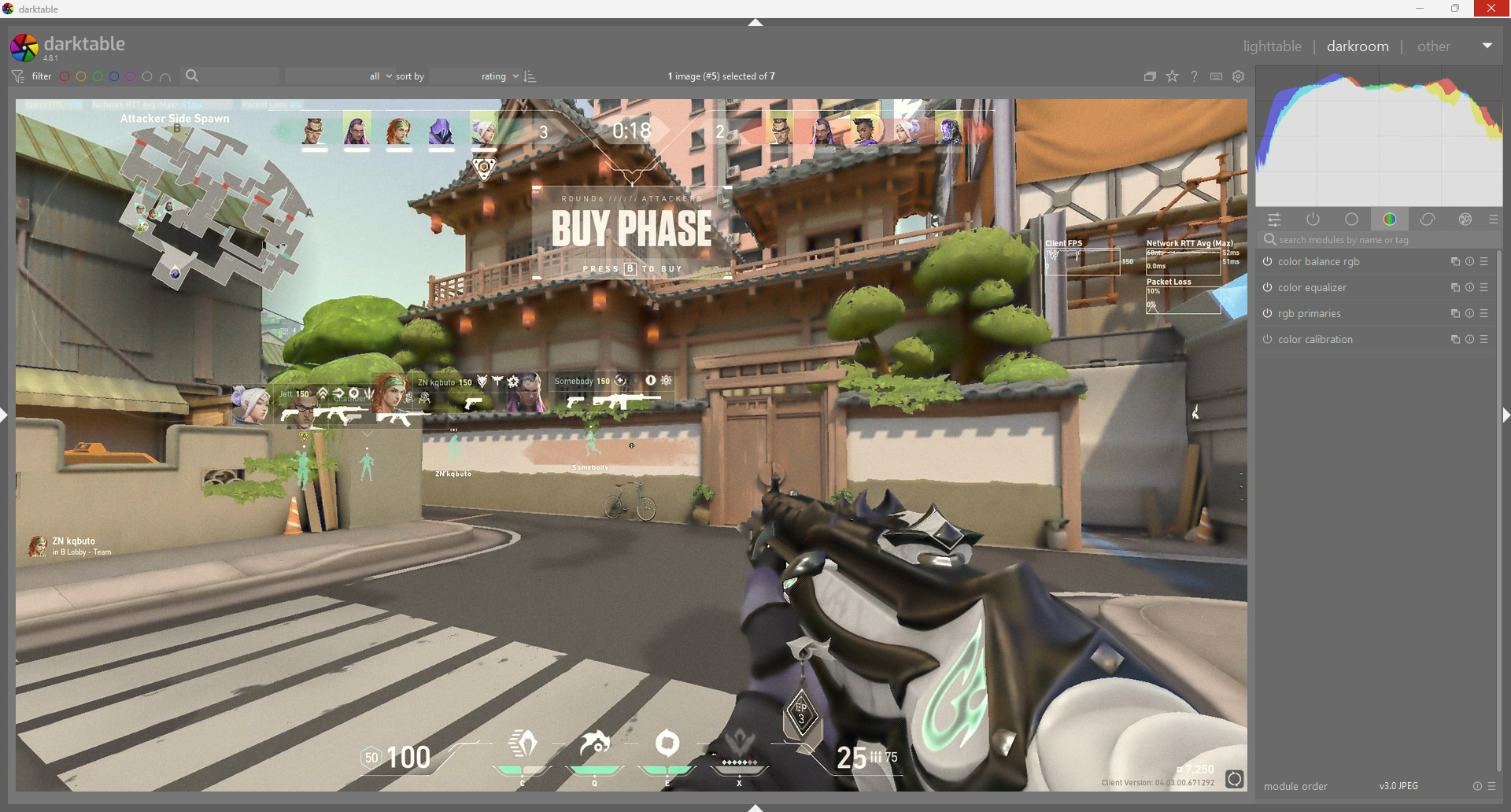  What do you see at coordinates (1273, 46) in the screenshot?
I see `lighttable` at bounding box center [1273, 46].